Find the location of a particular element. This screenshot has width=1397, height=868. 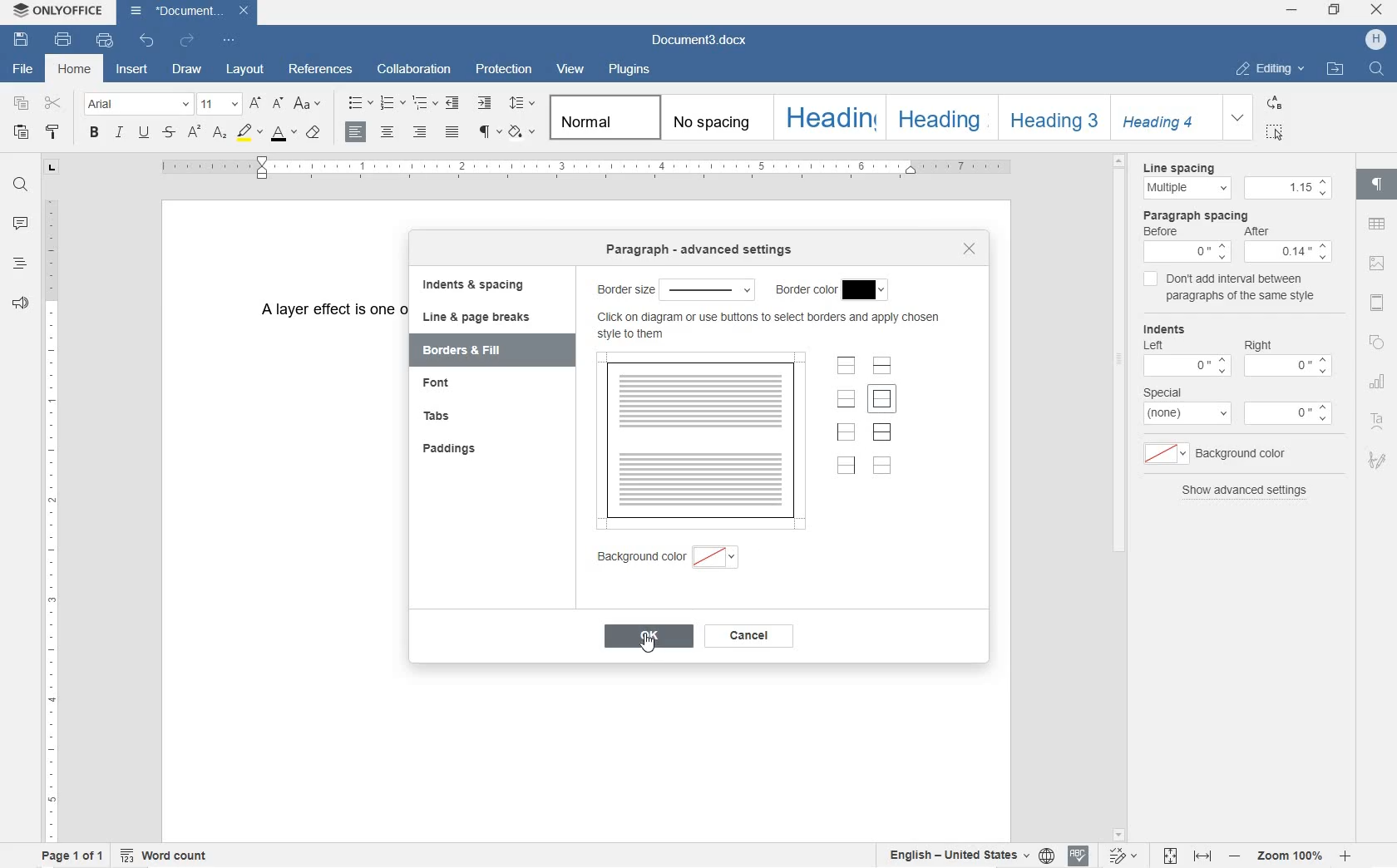

INCREASE INDENT is located at coordinates (485, 104).